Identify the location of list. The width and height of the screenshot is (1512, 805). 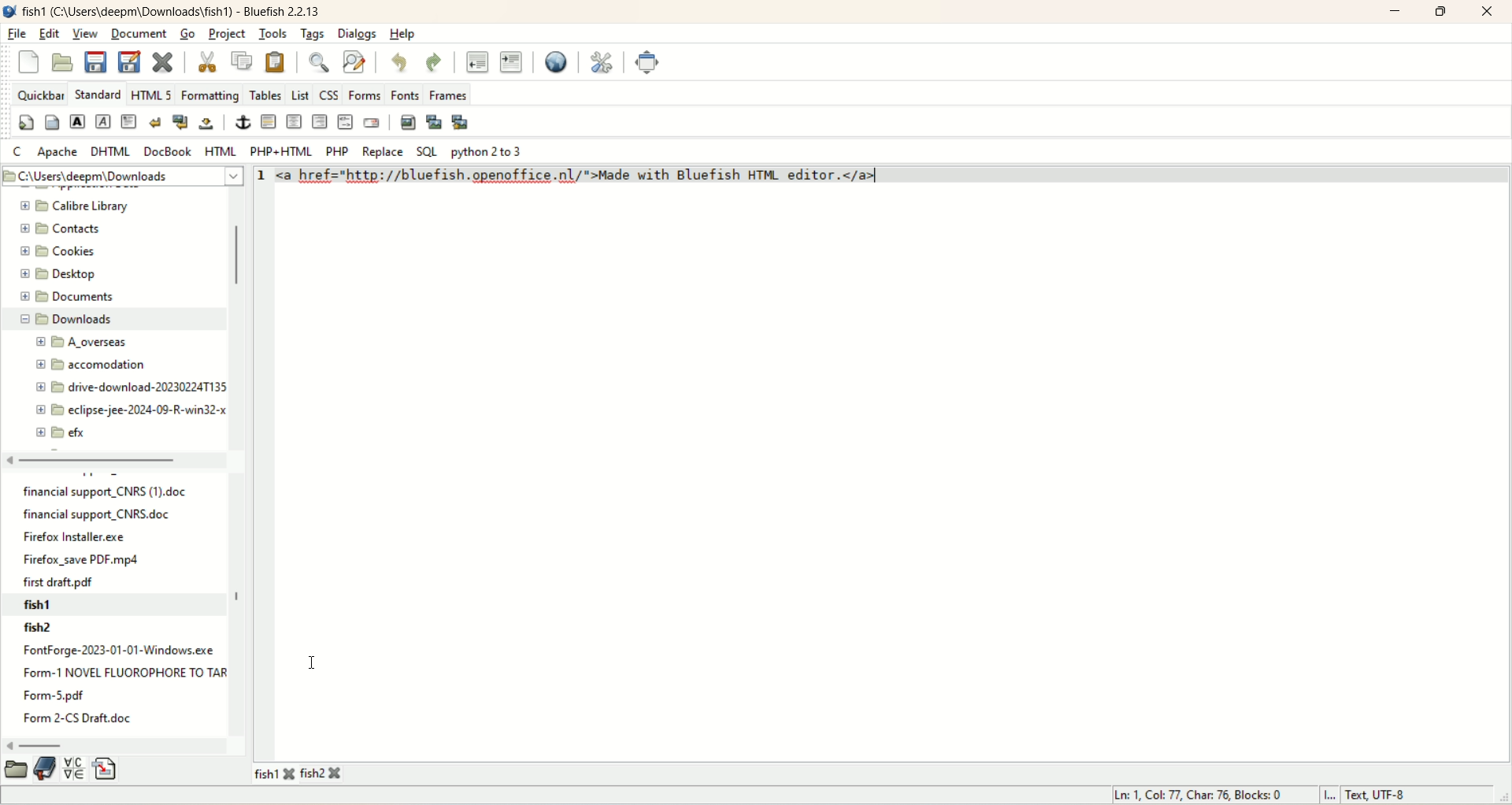
(301, 94).